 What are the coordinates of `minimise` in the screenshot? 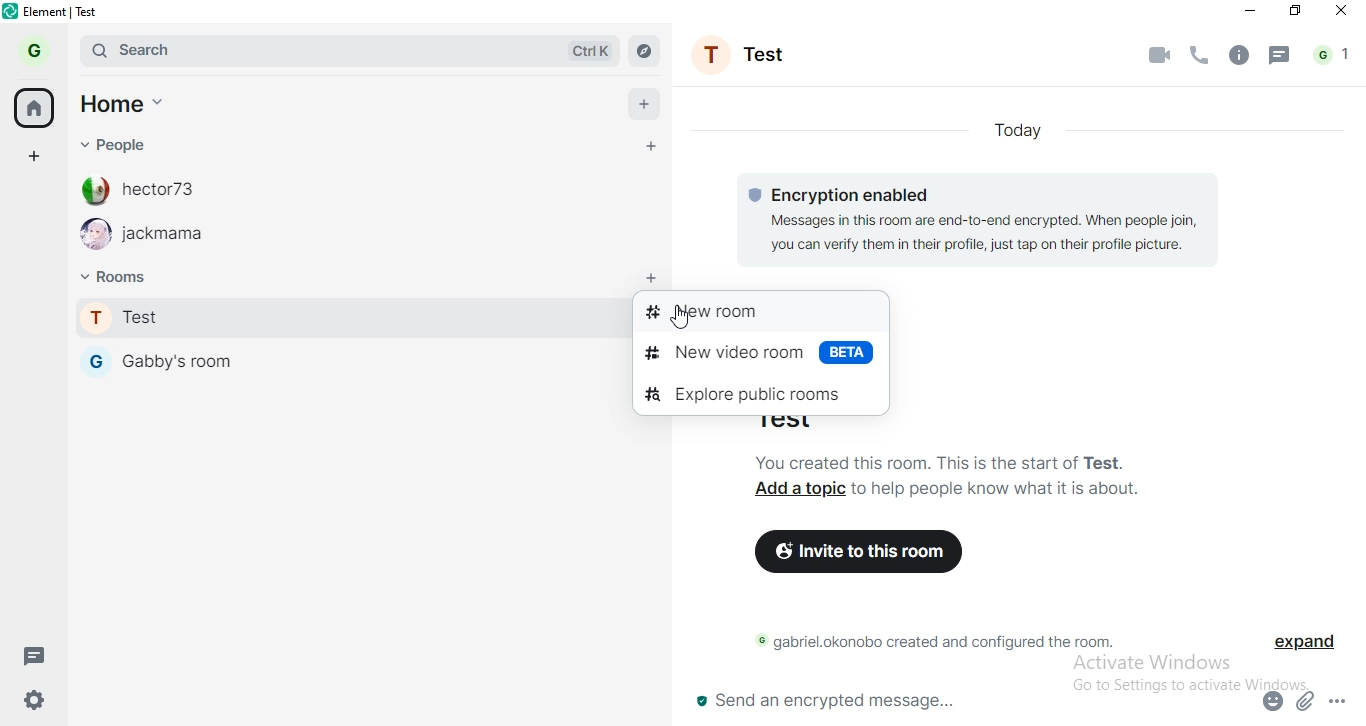 It's located at (1251, 10).